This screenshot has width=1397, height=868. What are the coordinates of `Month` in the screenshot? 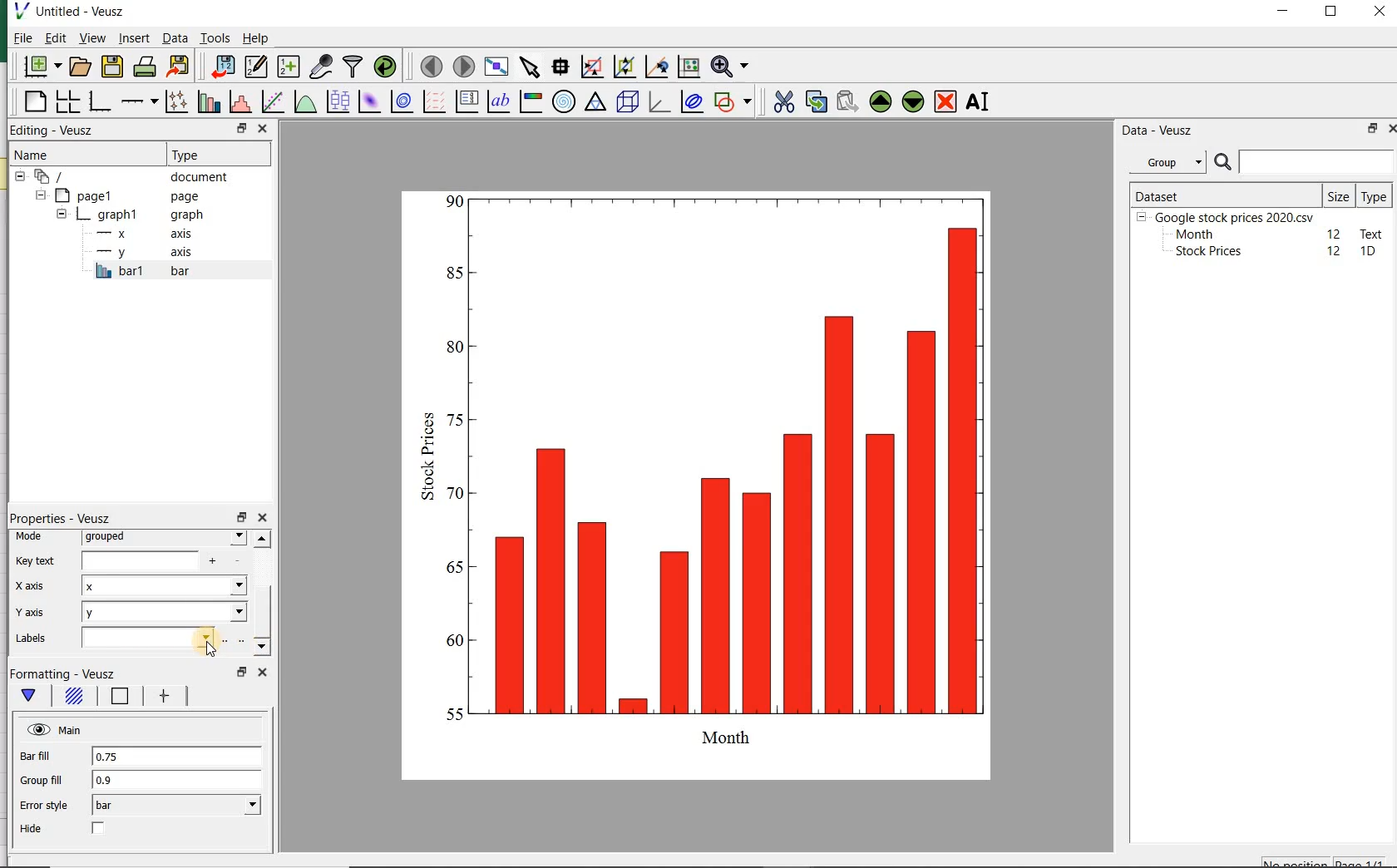 It's located at (1193, 234).